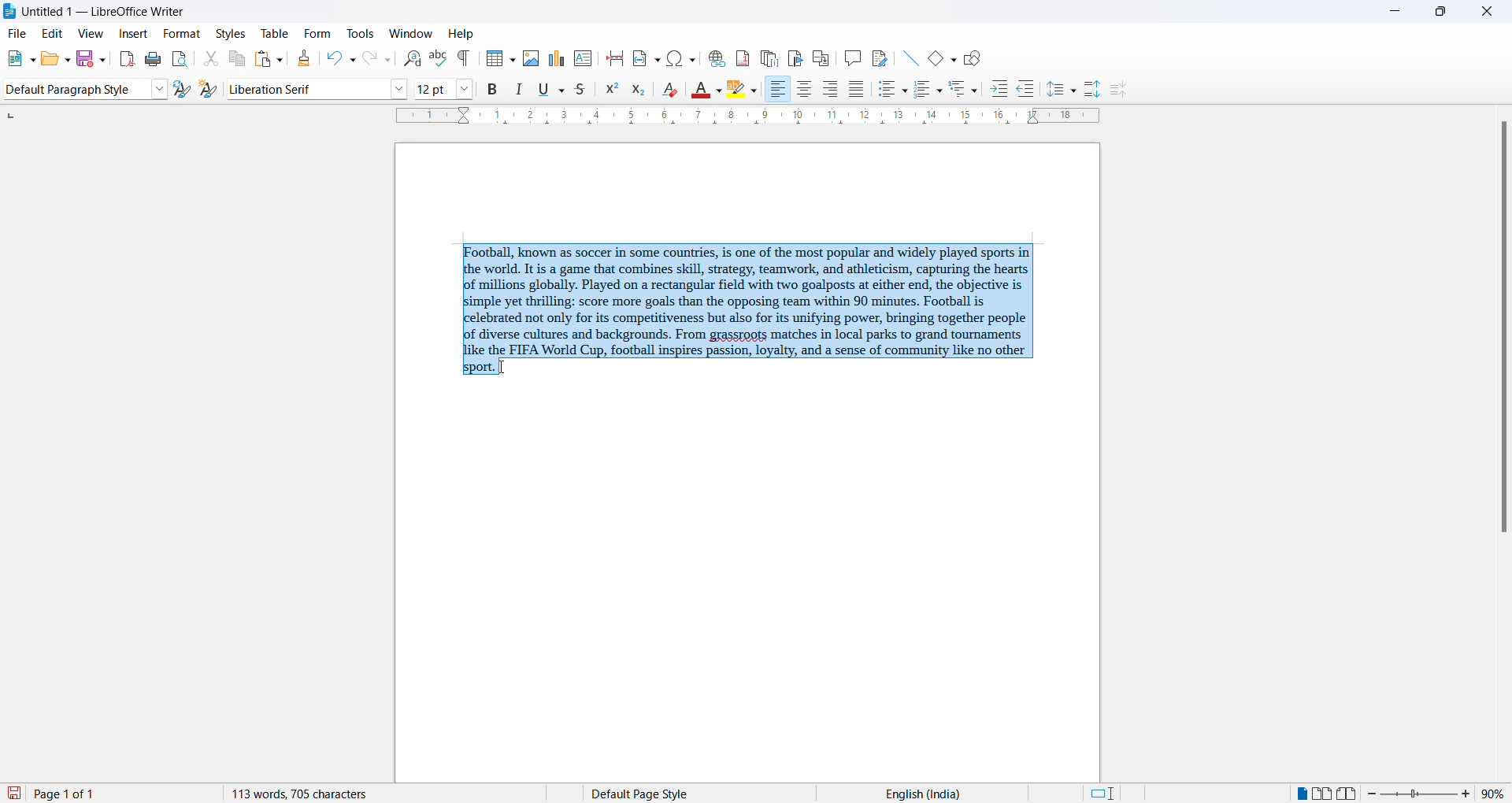 The image size is (1512, 803). Describe the element at coordinates (154, 58) in the screenshot. I see `print` at that location.